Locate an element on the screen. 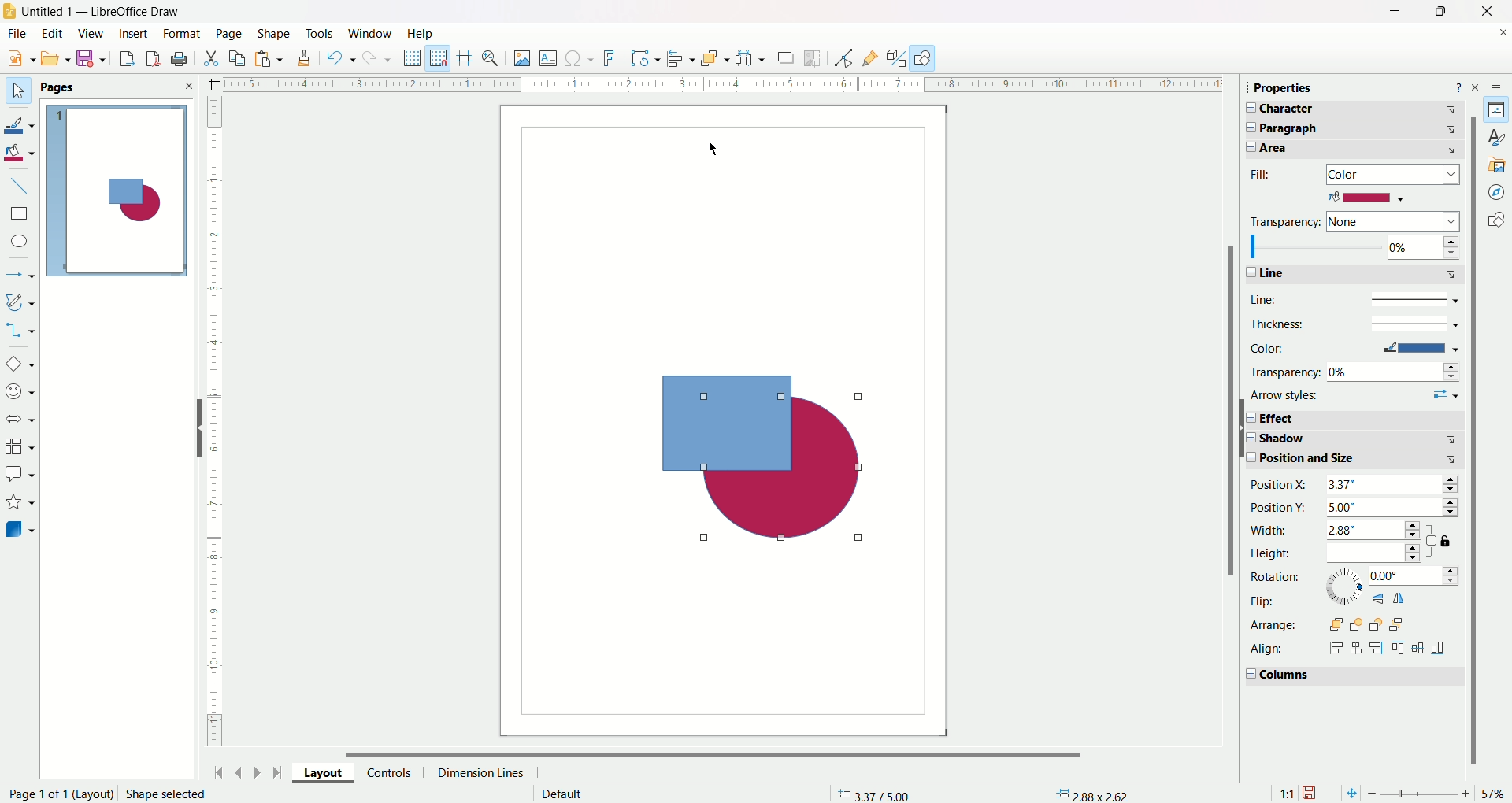 The image size is (1512, 803). shape is located at coordinates (271, 31).